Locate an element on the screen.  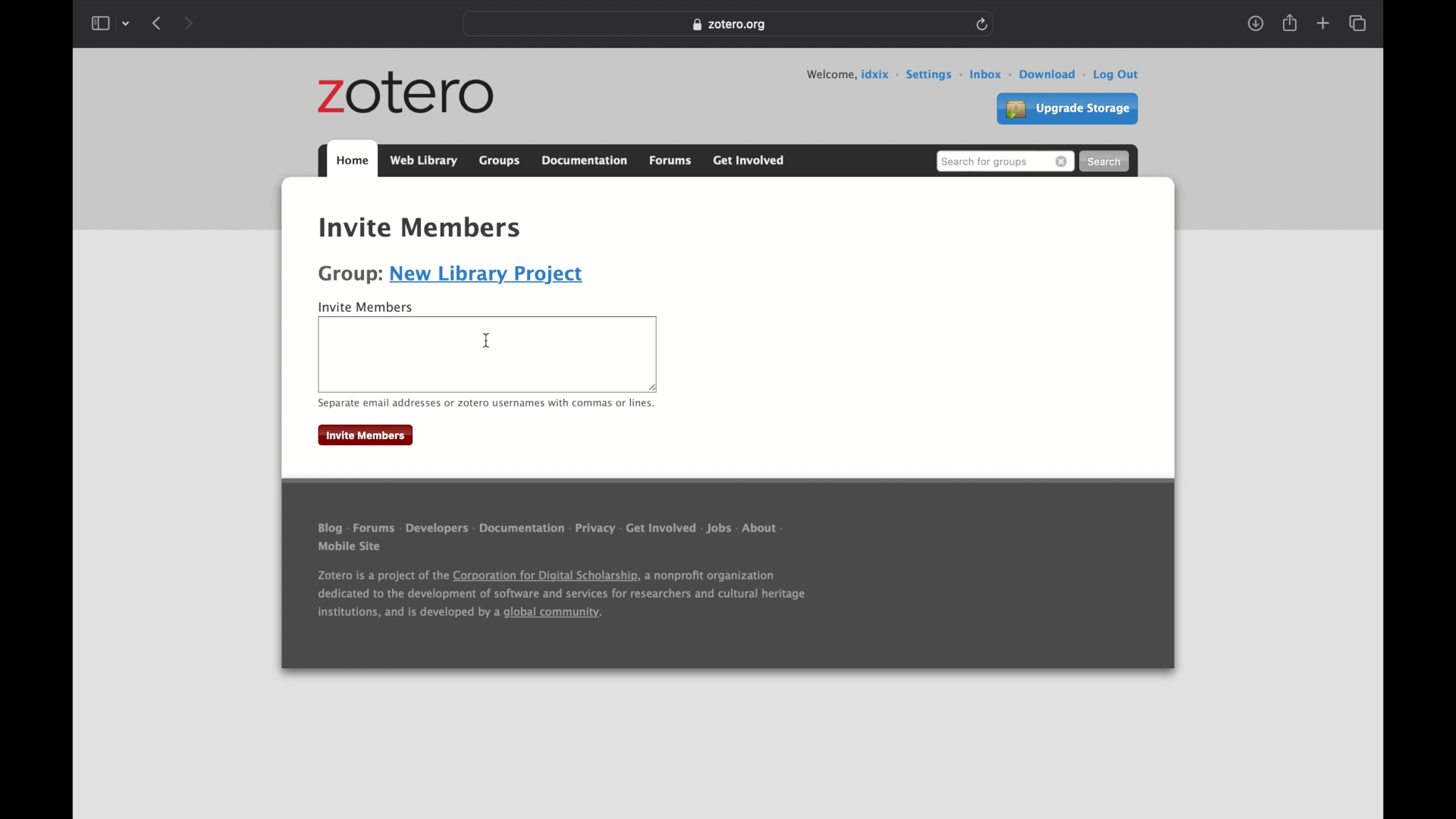
Zotero is a project of the Corporation for Digital Scholarship, a nonprofit organization
dedicated to the development of software and services for researchers and cultural heritage
institutions, and is developed by a global community. is located at coordinates (562, 595).